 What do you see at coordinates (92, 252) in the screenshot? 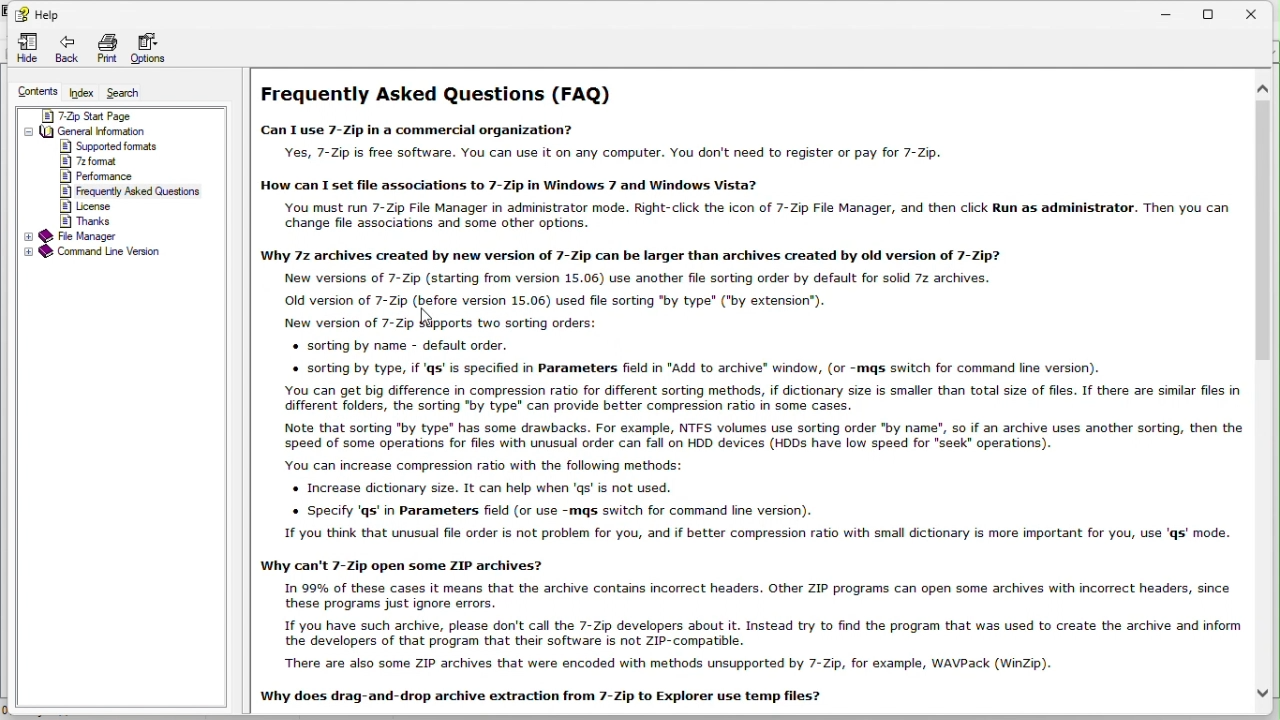
I see `Command line version` at bounding box center [92, 252].